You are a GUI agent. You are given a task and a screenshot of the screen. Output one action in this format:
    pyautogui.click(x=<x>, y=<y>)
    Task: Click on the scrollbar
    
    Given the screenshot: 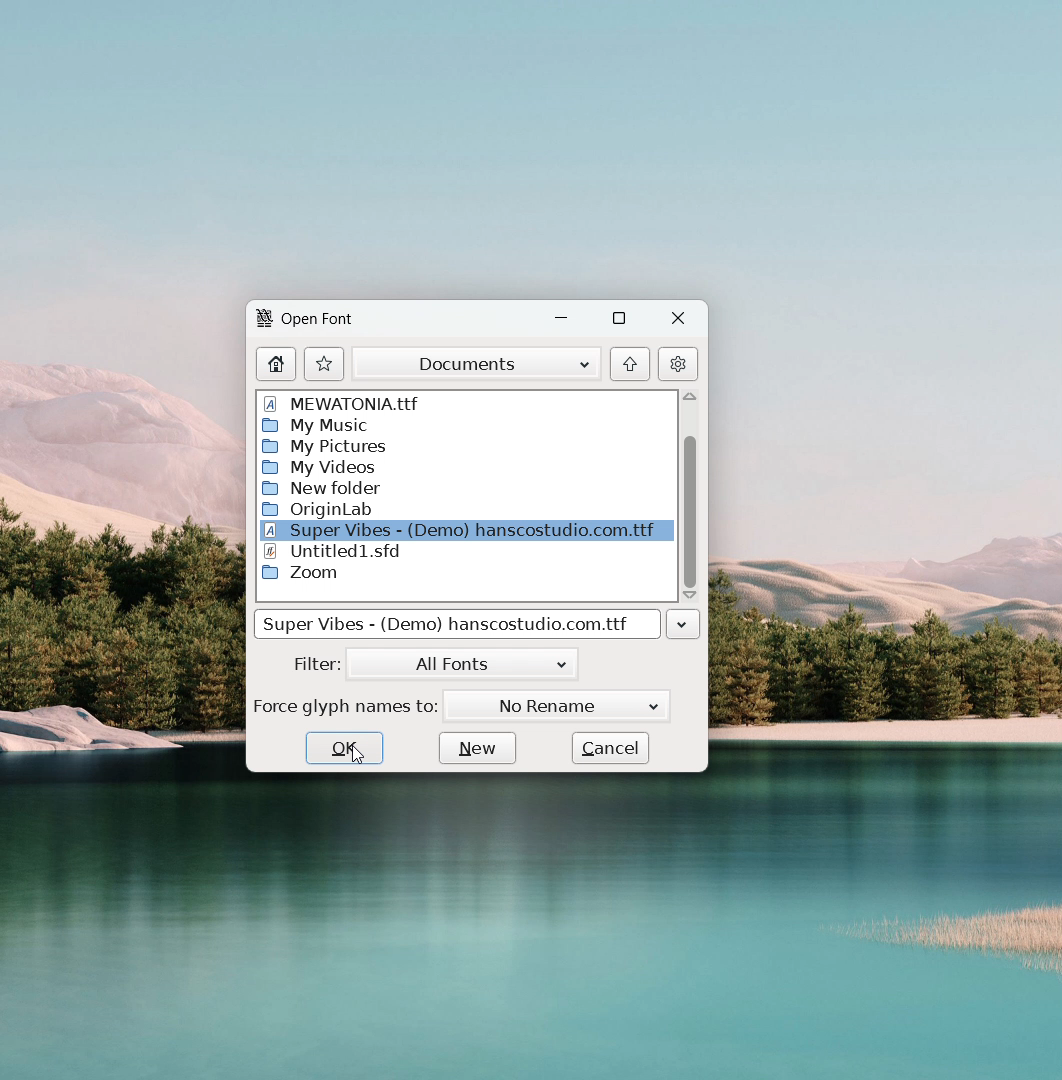 What is the action you would take?
    pyautogui.click(x=691, y=510)
    